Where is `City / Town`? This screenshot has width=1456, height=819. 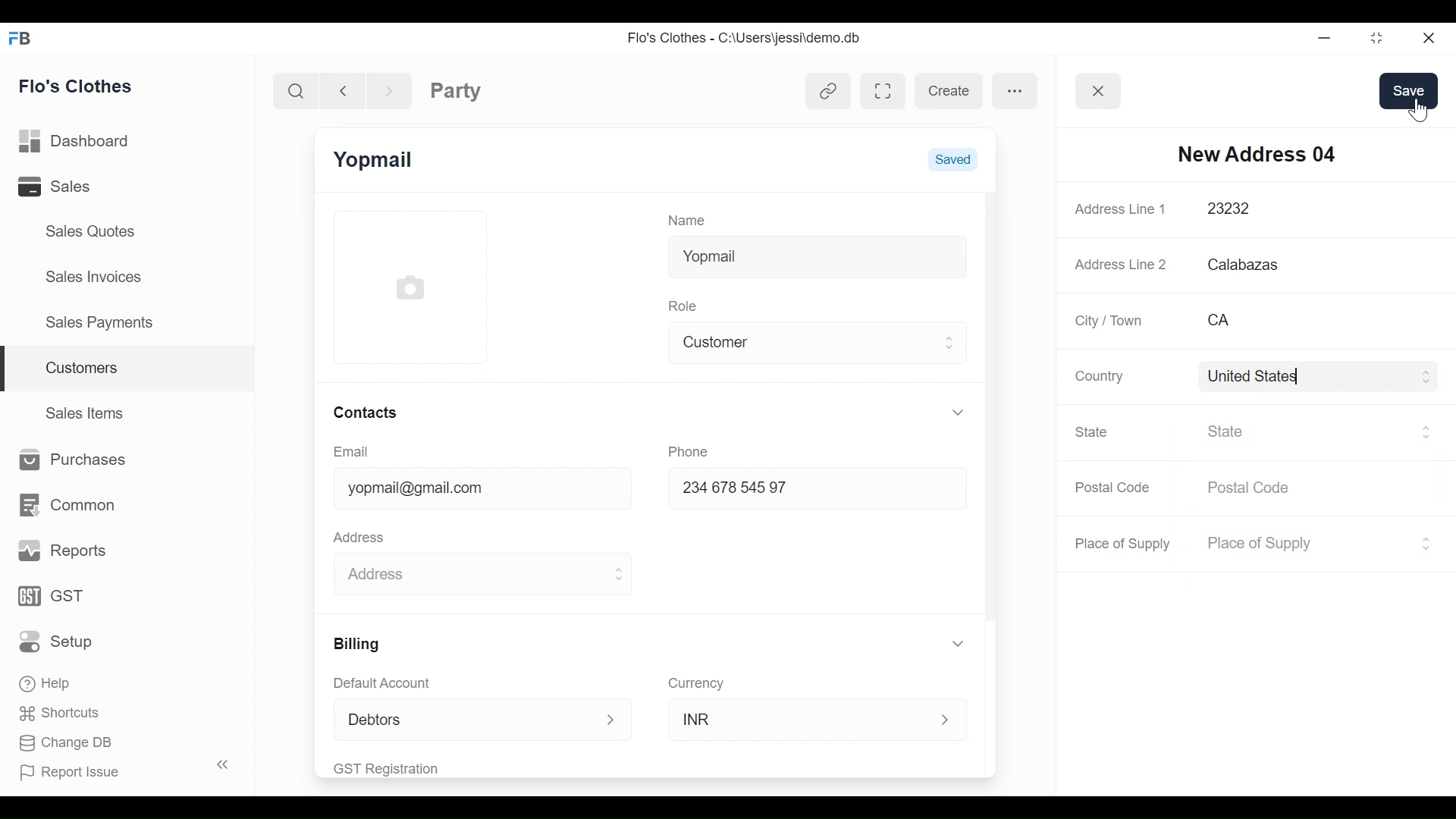
City / Town is located at coordinates (1110, 321).